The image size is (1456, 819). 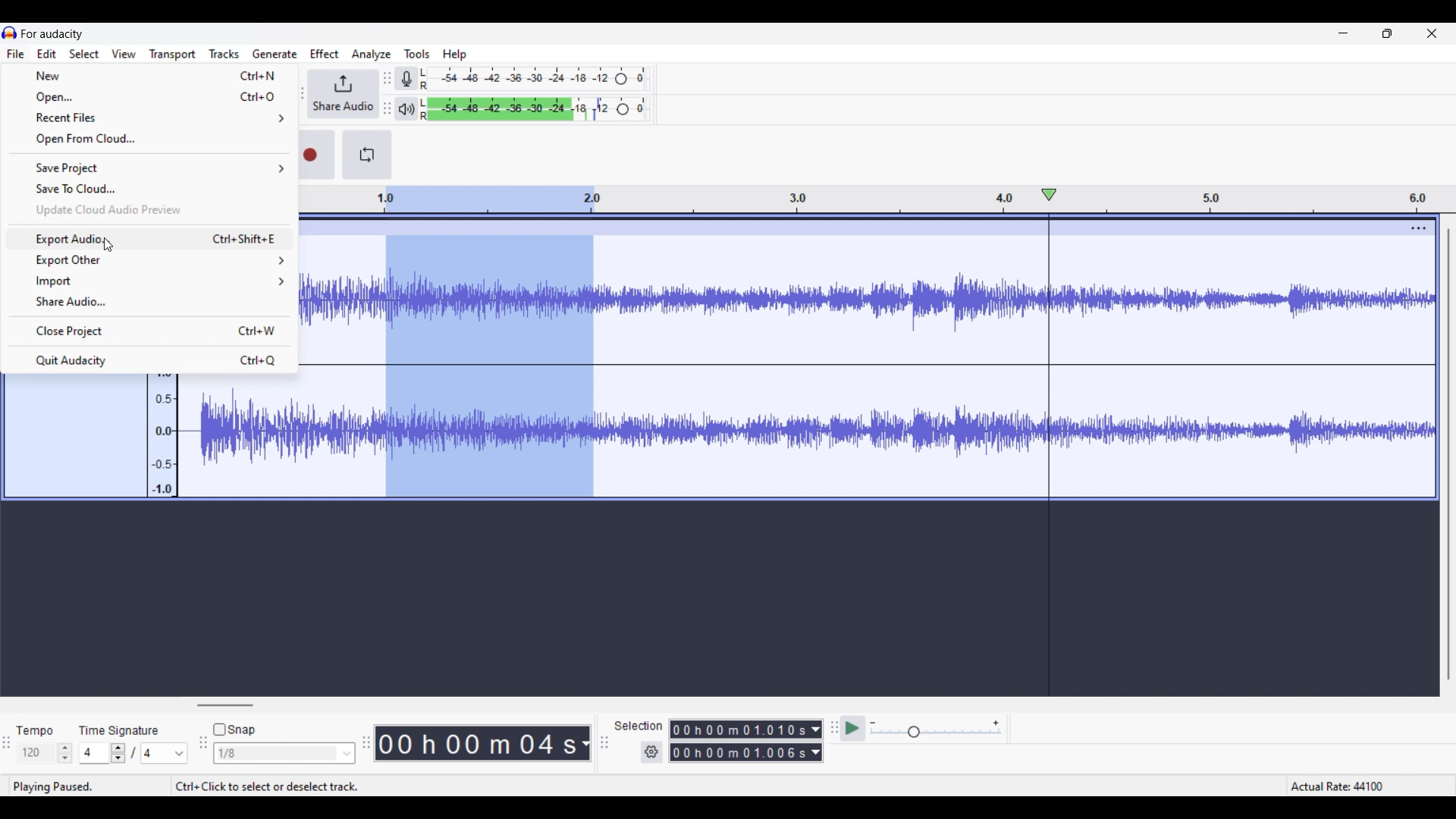 What do you see at coordinates (638, 725) in the screenshot?
I see `selection` at bounding box center [638, 725].